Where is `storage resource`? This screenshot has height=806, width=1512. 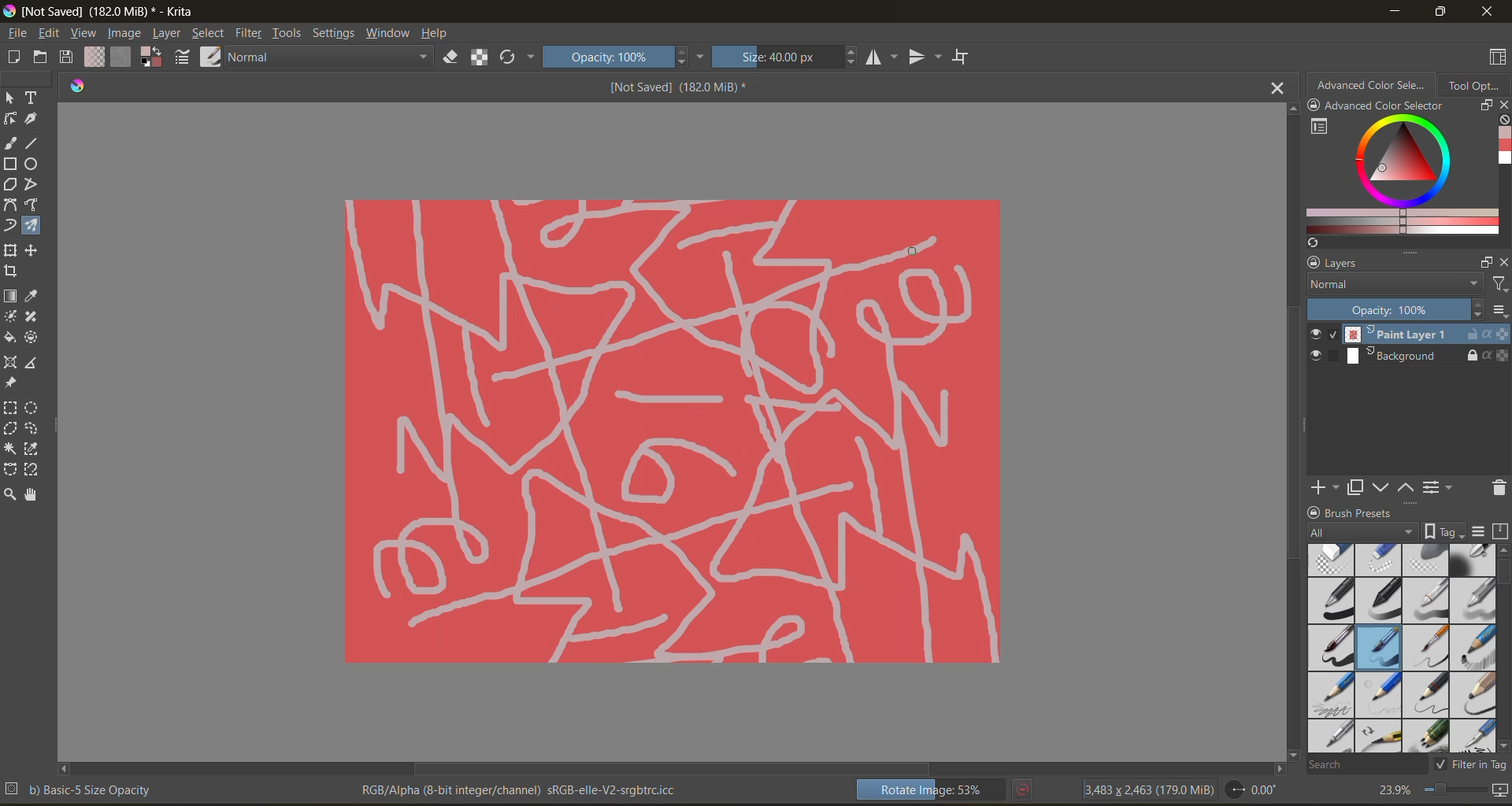 storage resource is located at coordinates (1499, 533).